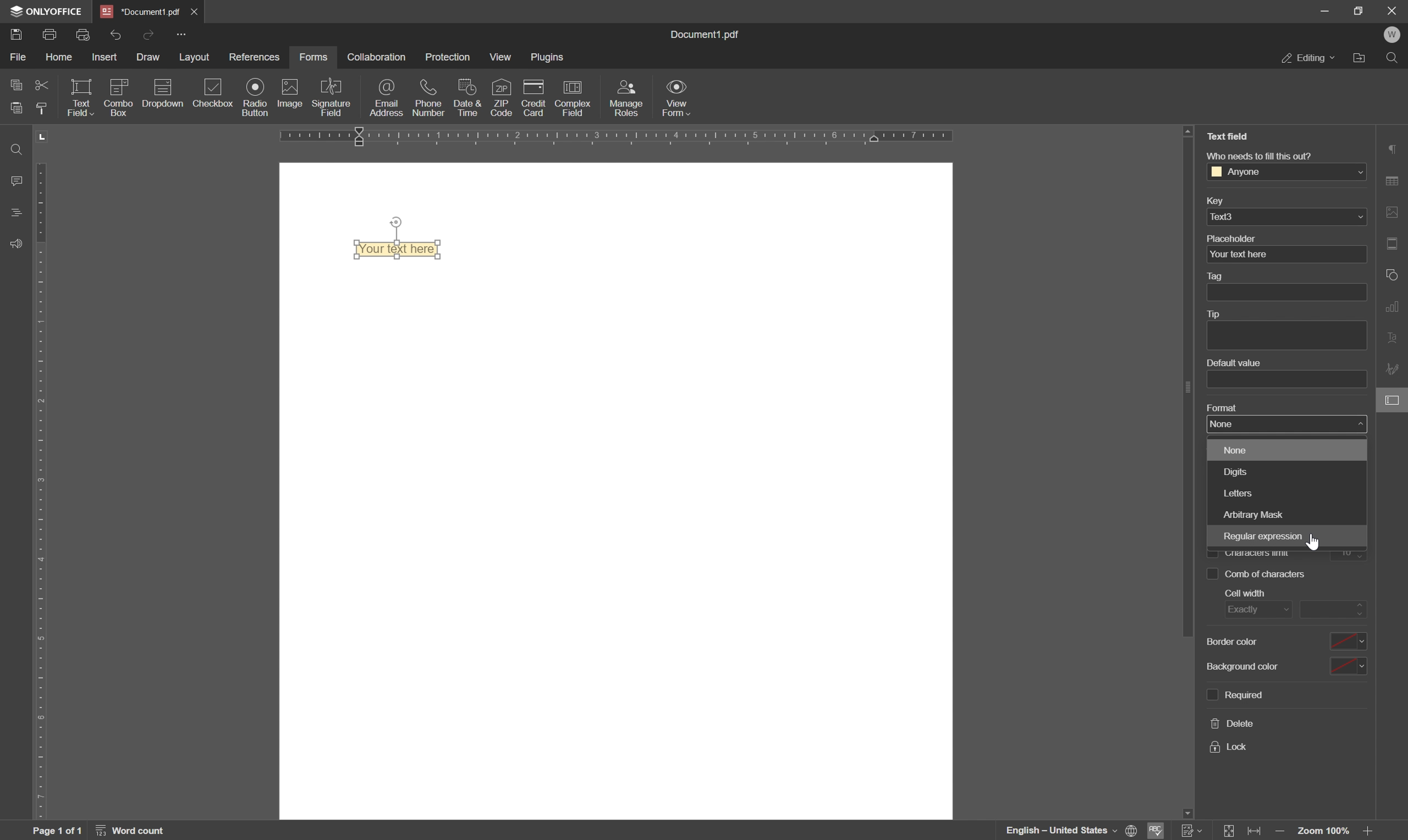 The width and height of the screenshot is (1408, 840). I want to click on open file location, so click(1359, 58).